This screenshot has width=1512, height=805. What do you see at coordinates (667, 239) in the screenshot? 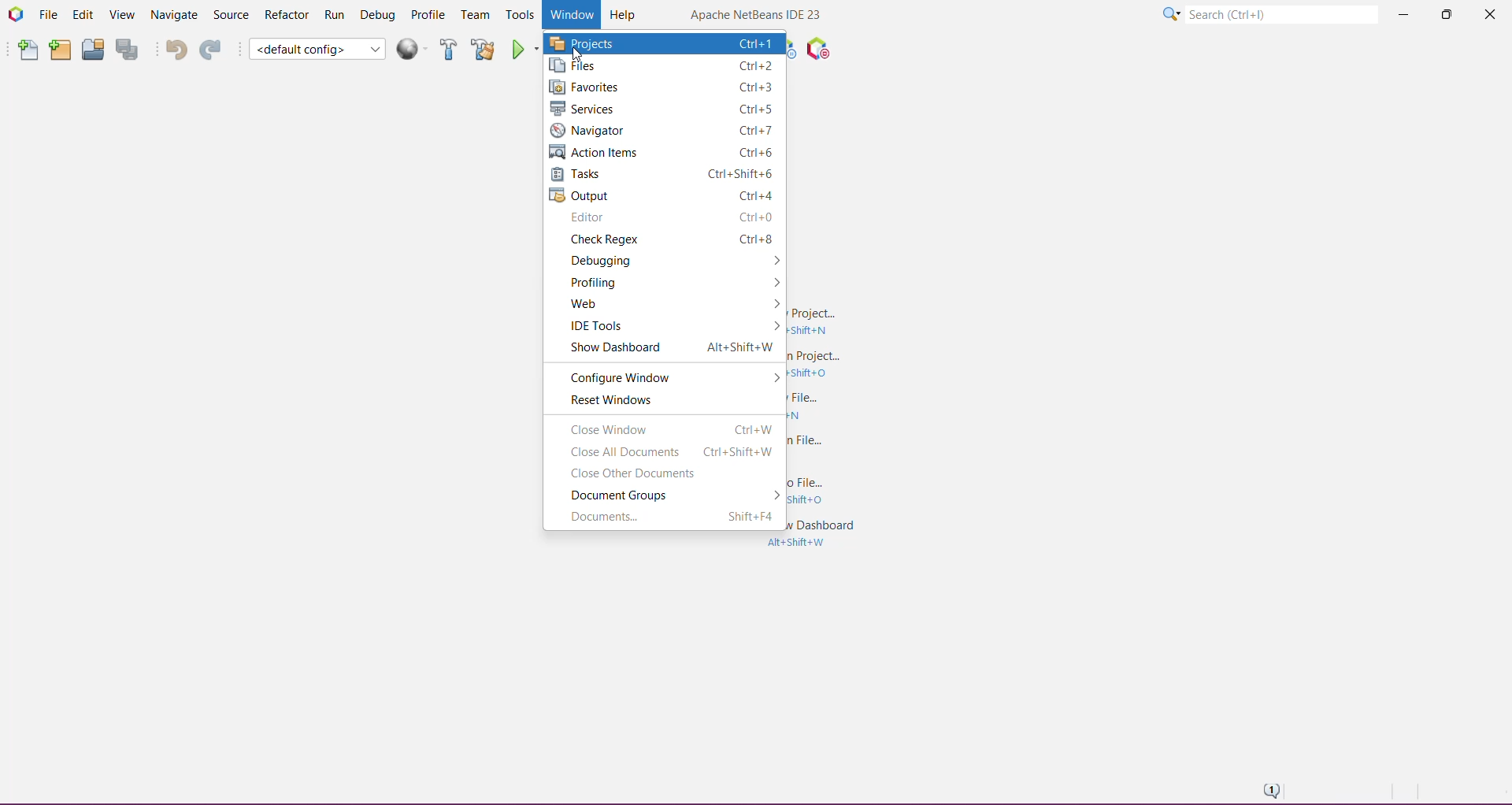
I see `Check Regex` at bounding box center [667, 239].